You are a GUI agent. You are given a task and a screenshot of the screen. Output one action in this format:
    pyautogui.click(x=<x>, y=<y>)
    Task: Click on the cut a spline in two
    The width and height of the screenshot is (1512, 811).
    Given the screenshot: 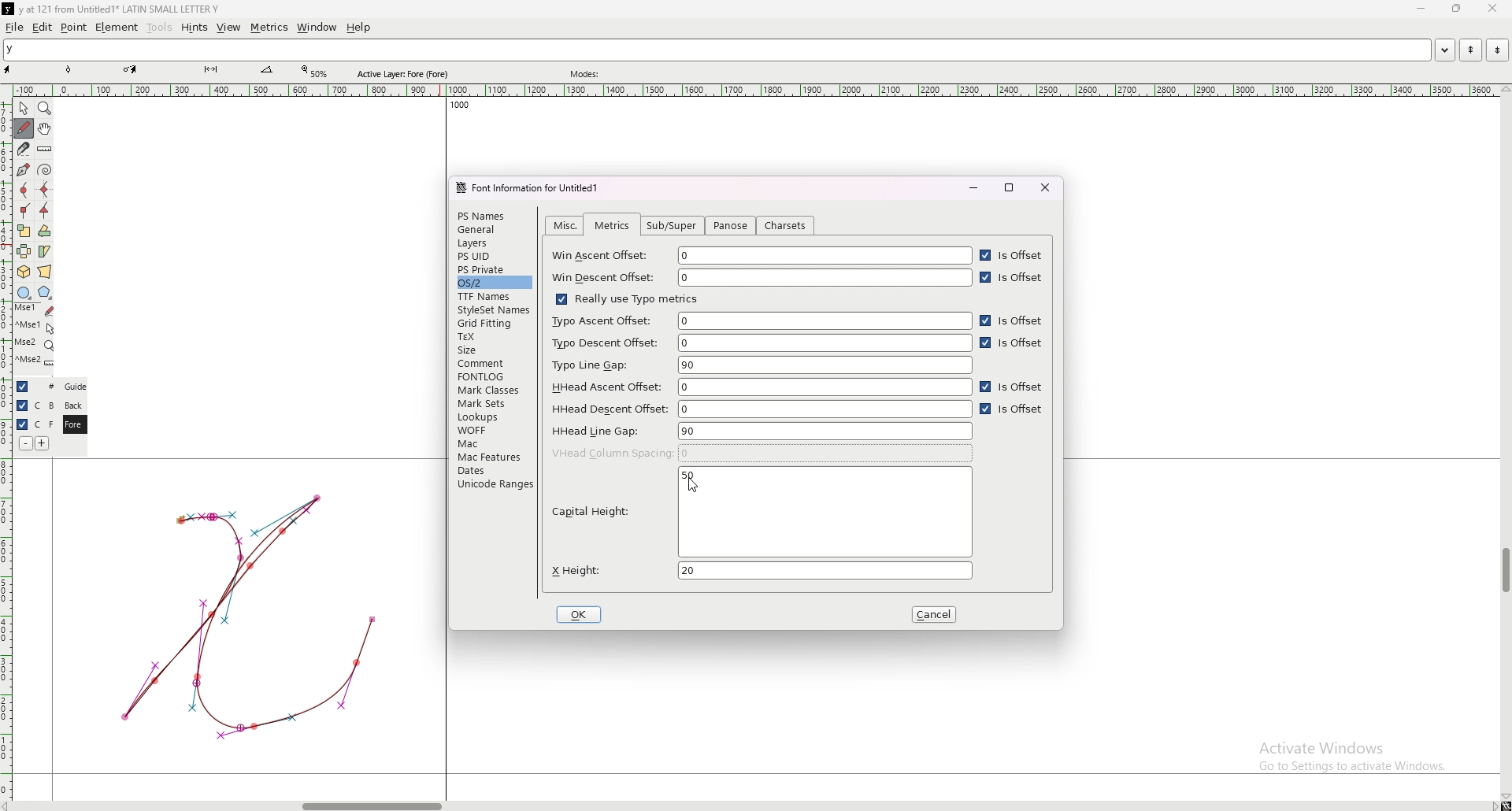 What is the action you would take?
    pyautogui.click(x=22, y=149)
    